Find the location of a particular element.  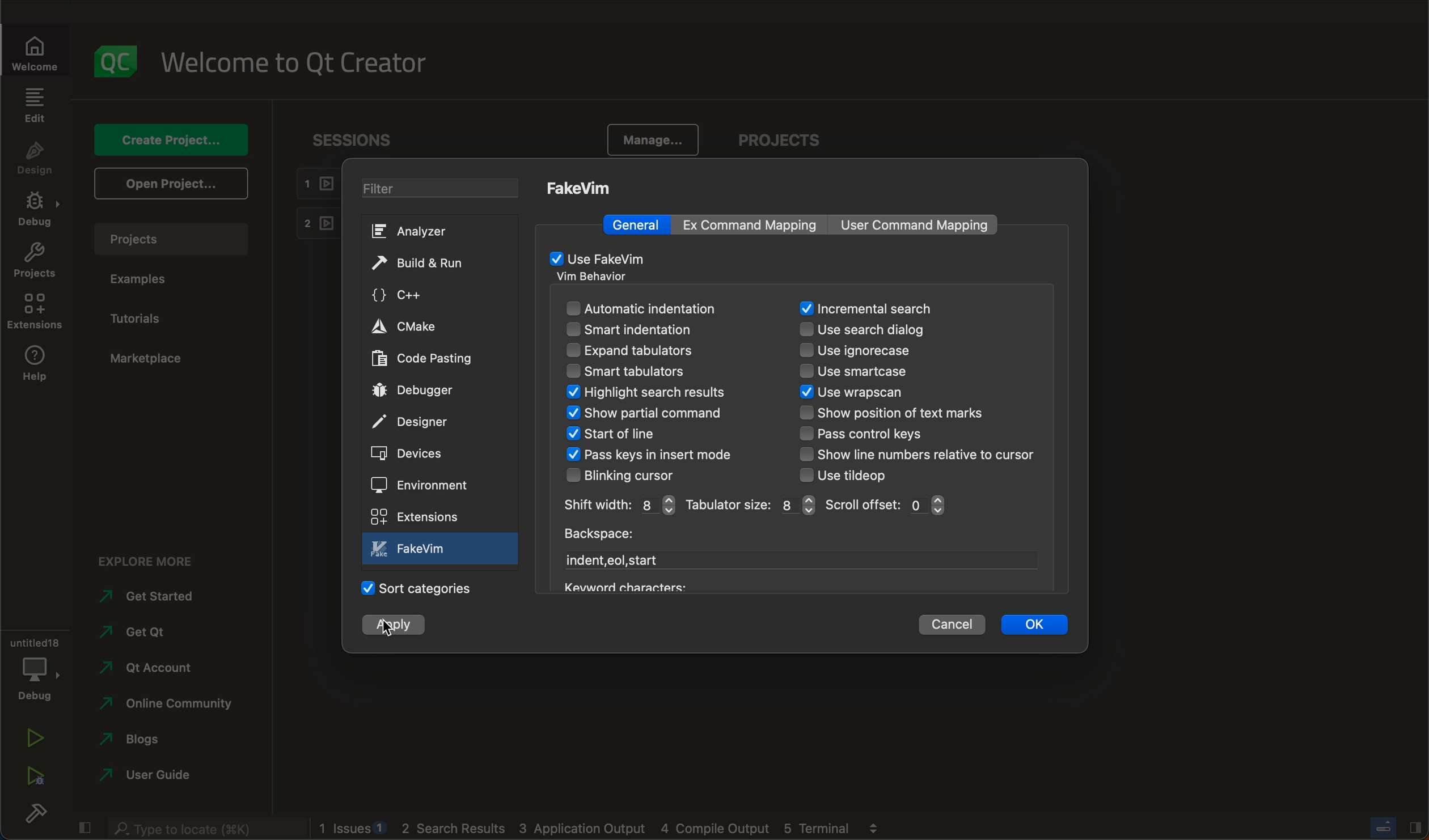

blinking cursor is located at coordinates (629, 476).